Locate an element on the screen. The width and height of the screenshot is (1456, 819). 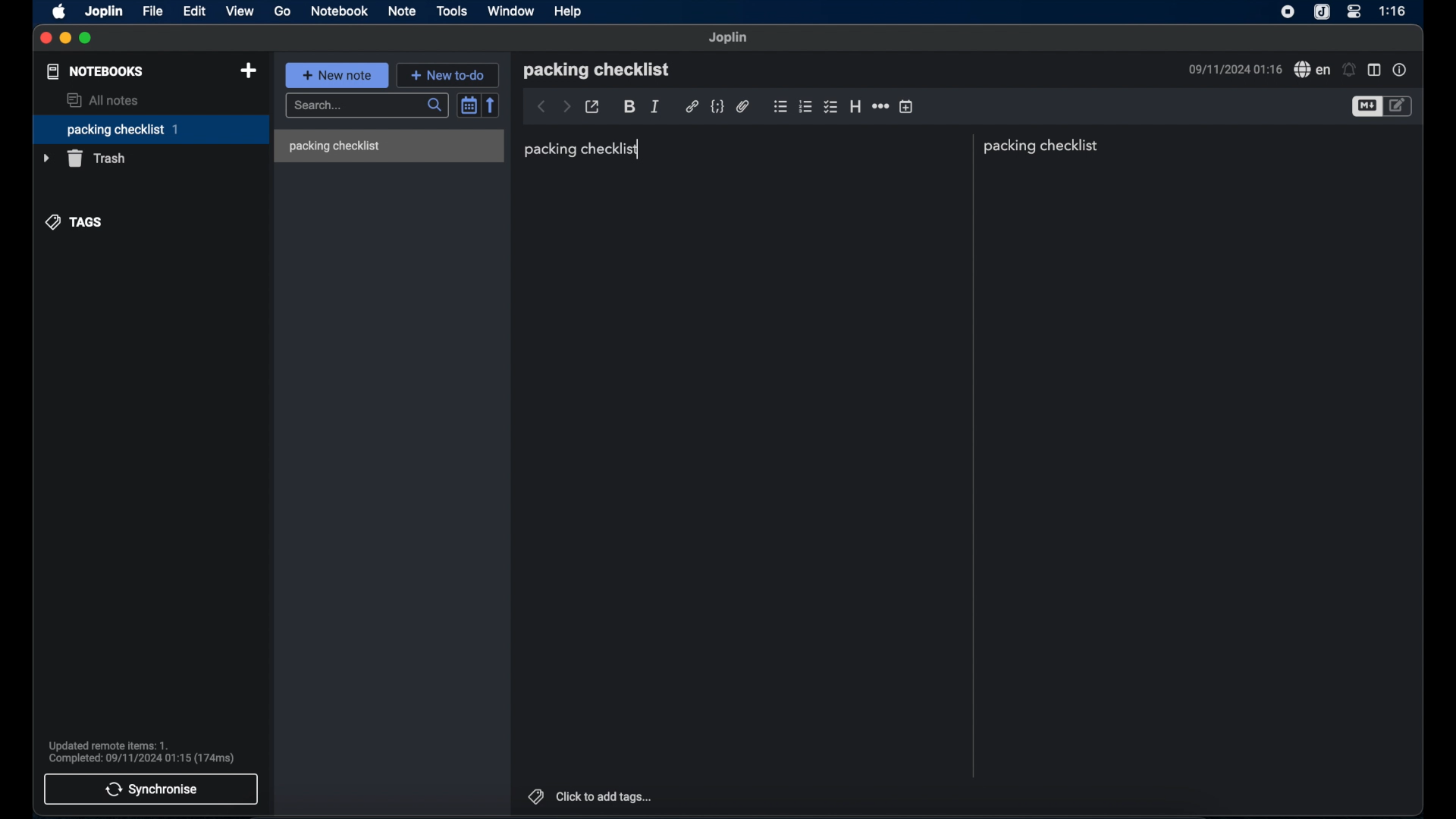
maximize is located at coordinates (86, 39).